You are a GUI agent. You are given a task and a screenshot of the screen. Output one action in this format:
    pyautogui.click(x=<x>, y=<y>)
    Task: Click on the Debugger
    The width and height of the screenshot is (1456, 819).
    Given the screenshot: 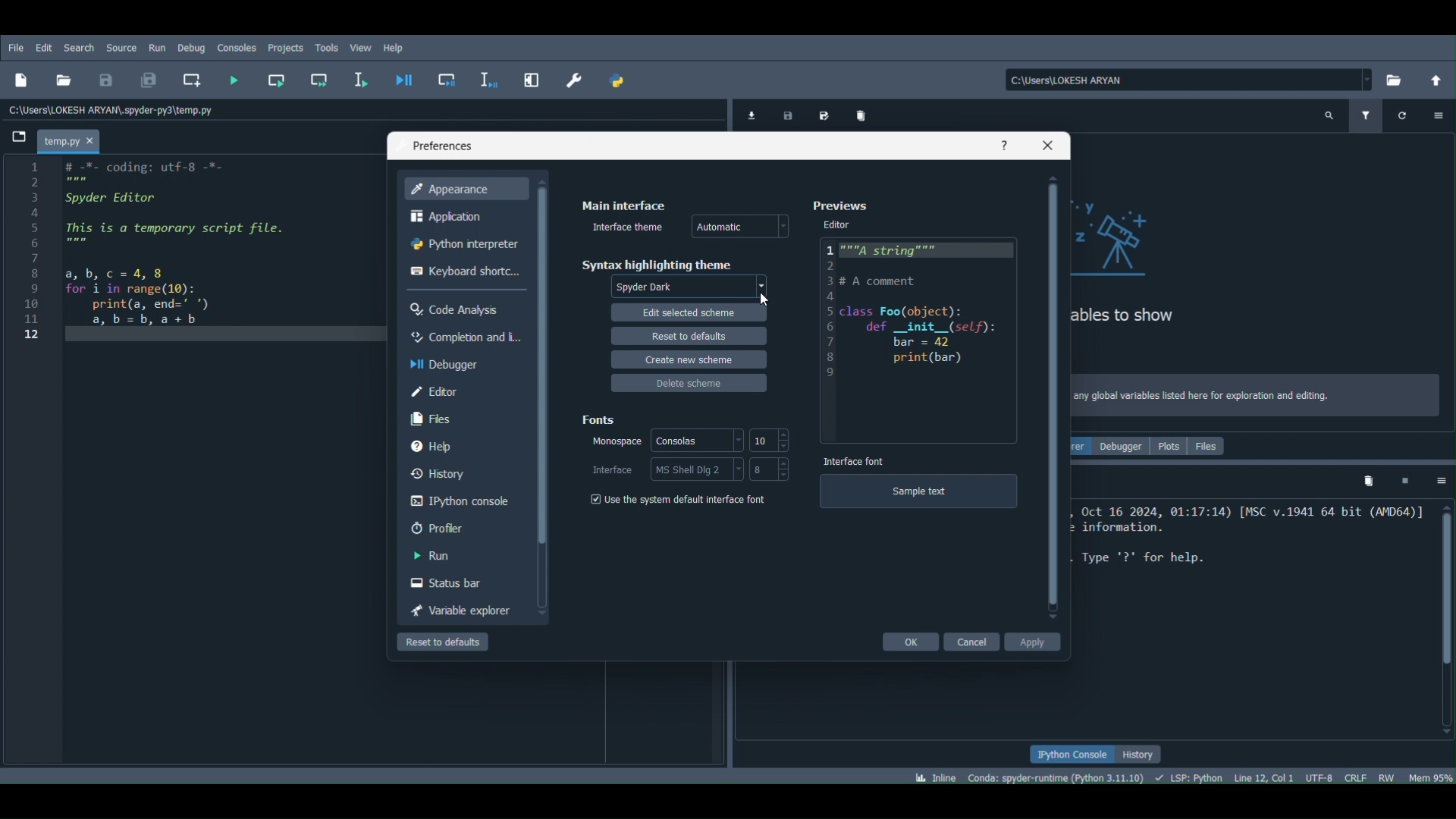 What is the action you would take?
    pyautogui.click(x=469, y=366)
    